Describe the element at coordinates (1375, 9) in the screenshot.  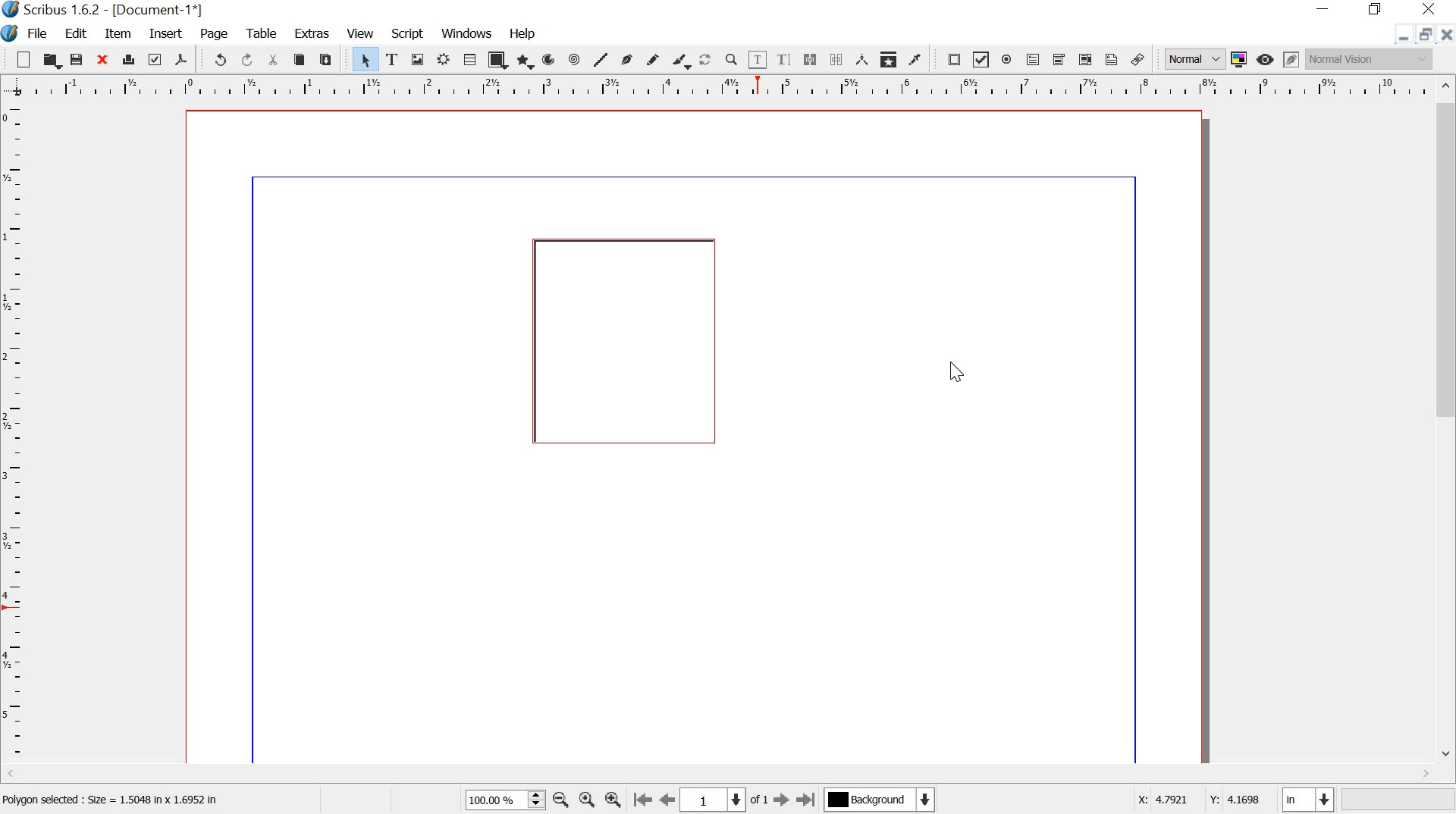
I see `restore down` at that location.